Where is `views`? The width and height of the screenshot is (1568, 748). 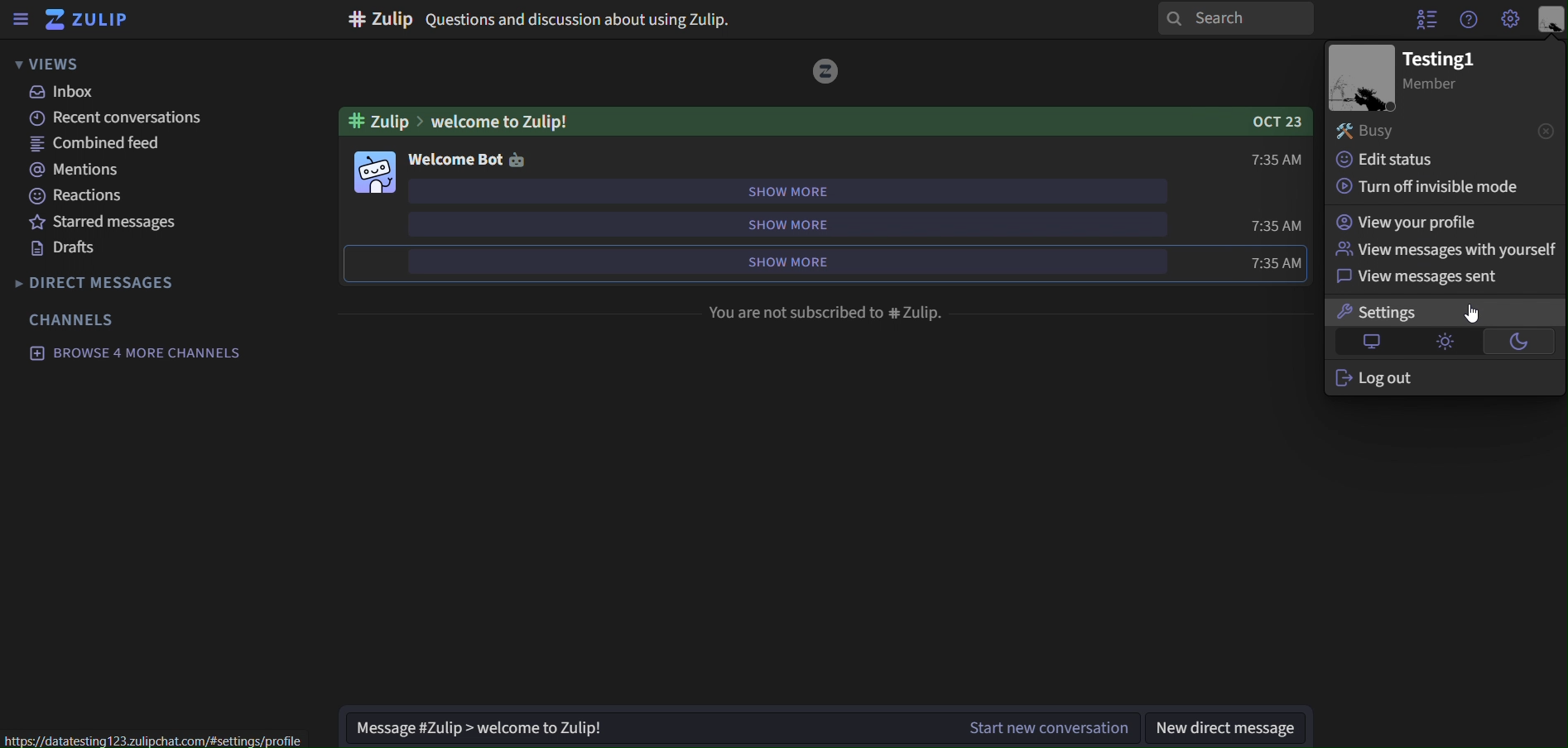
views is located at coordinates (62, 63).